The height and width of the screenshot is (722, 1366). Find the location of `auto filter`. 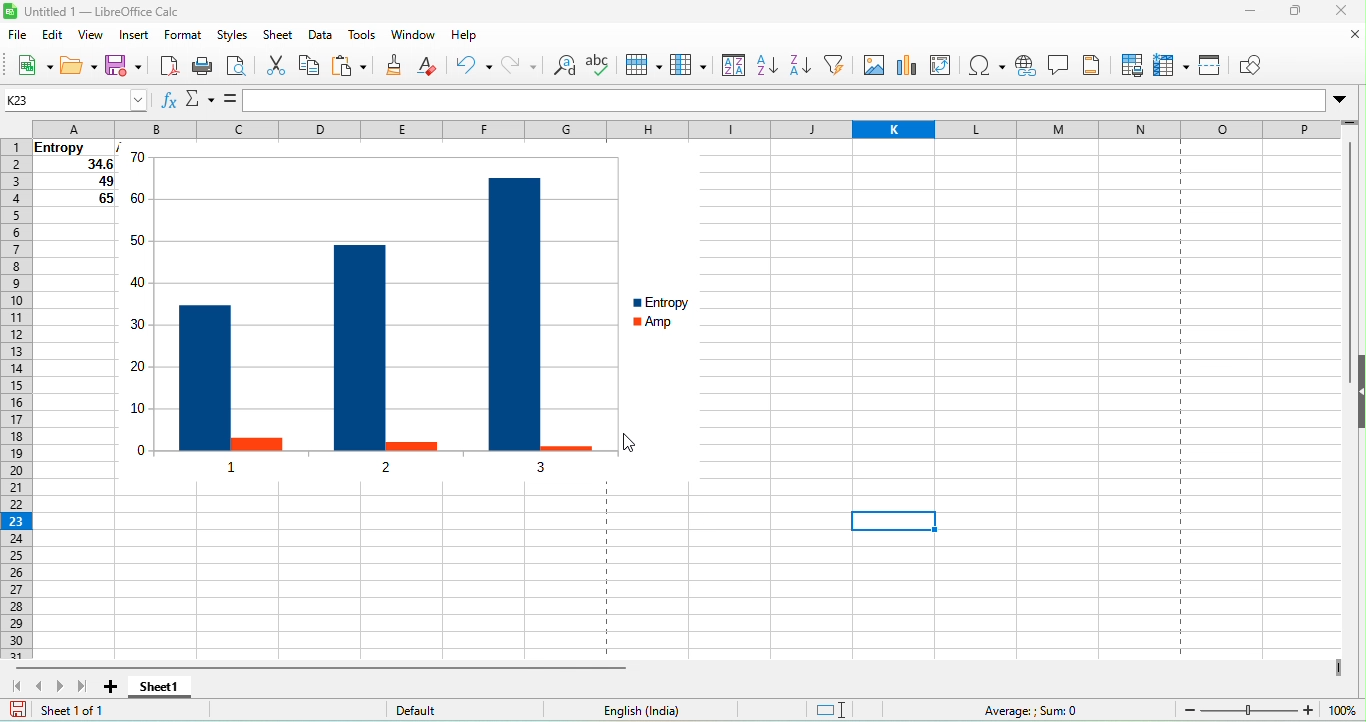

auto filter is located at coordinates (835, 67).